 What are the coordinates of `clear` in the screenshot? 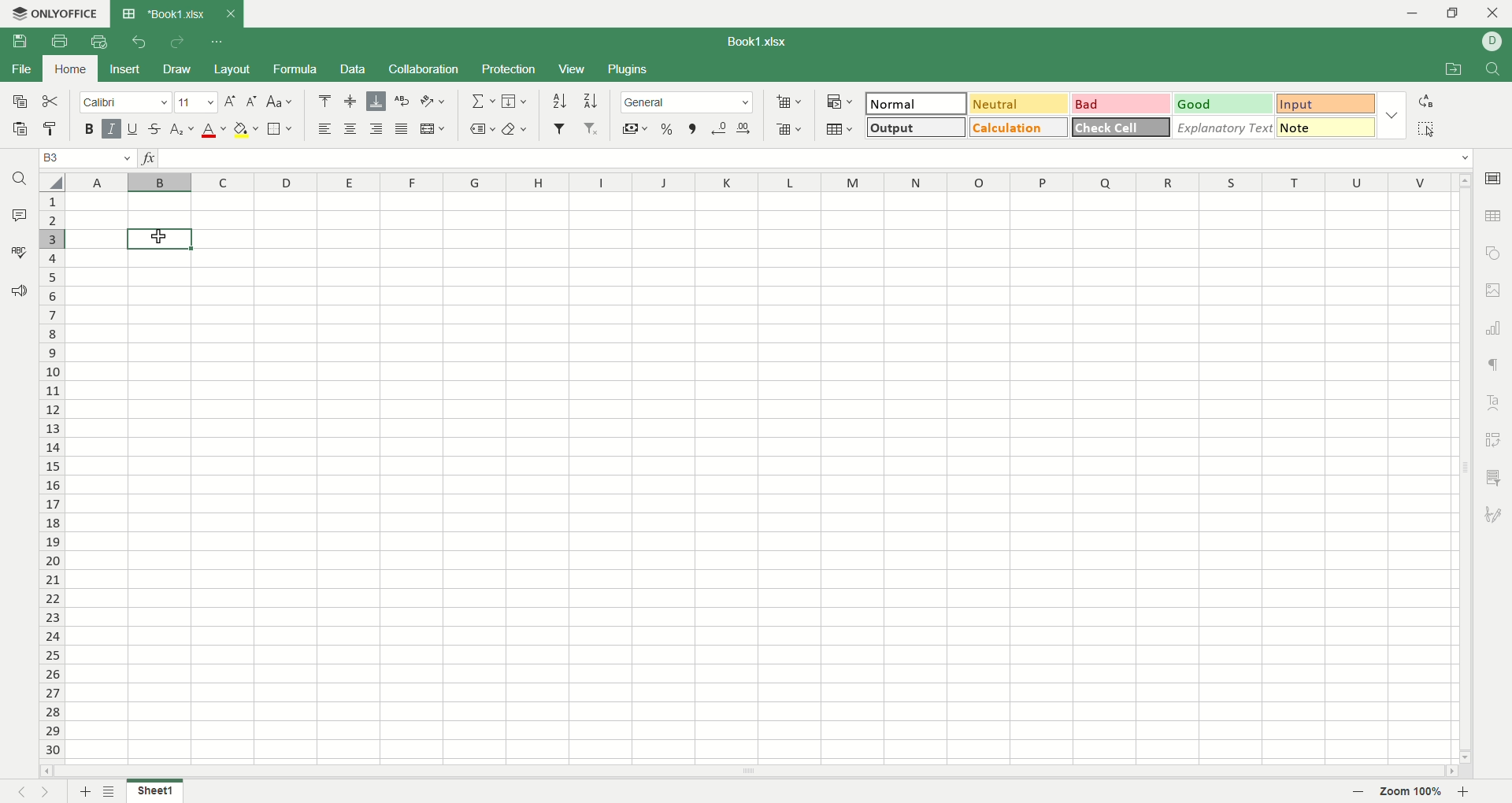 It's located at (517, 130).